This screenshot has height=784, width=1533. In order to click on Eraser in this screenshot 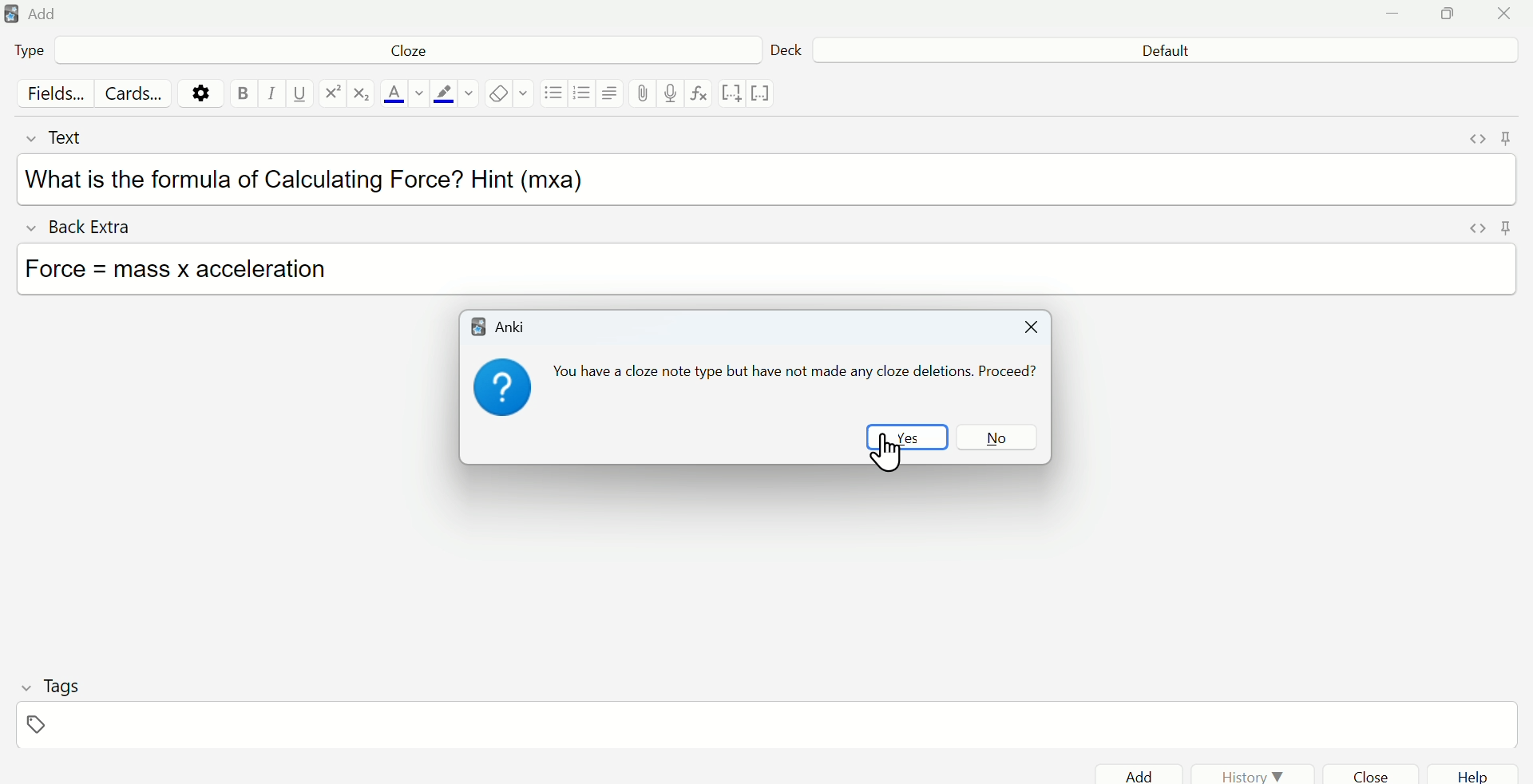, I will do `click(509, 94)`.